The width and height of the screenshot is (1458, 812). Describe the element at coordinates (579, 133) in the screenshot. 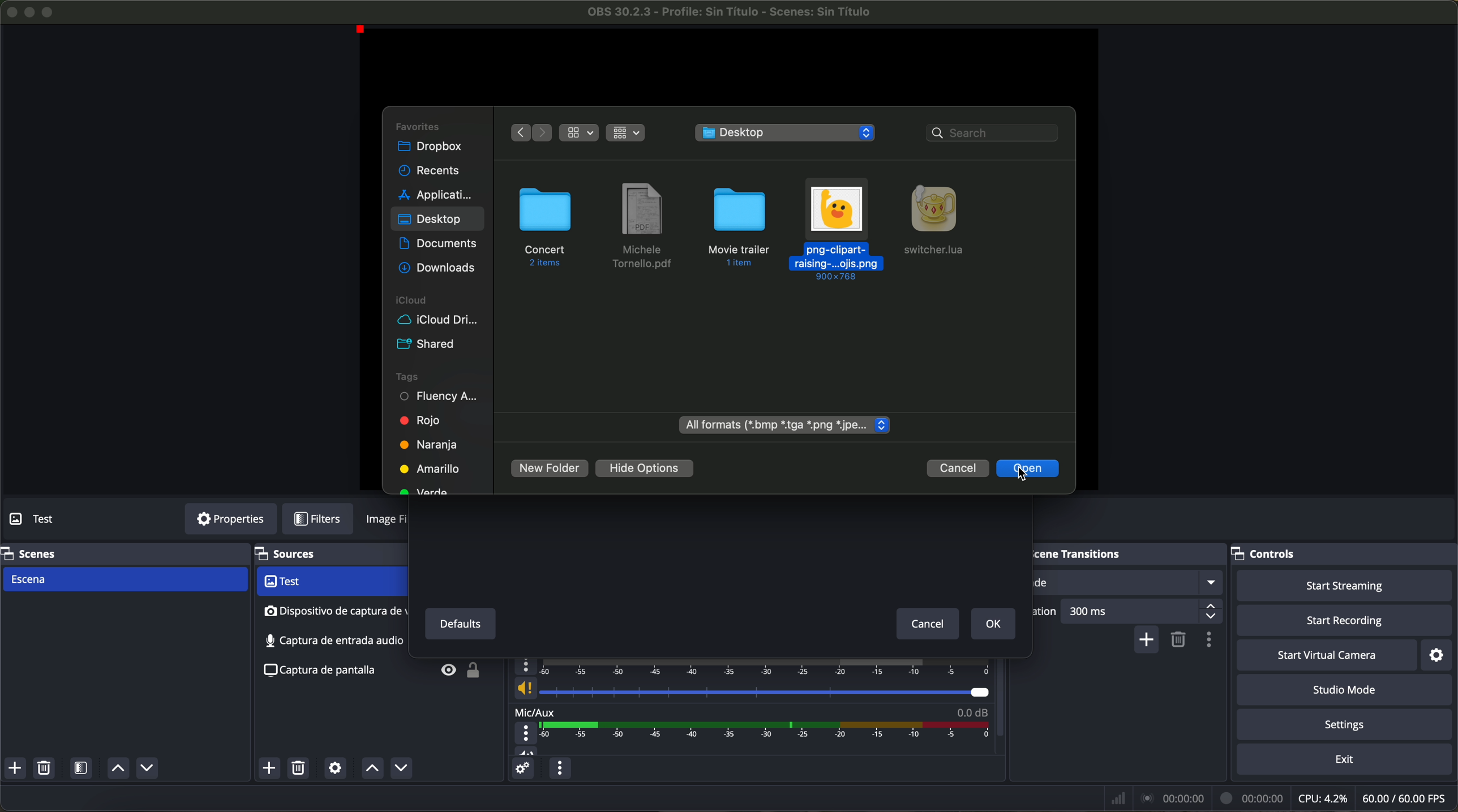

I see `grid view` at that location.